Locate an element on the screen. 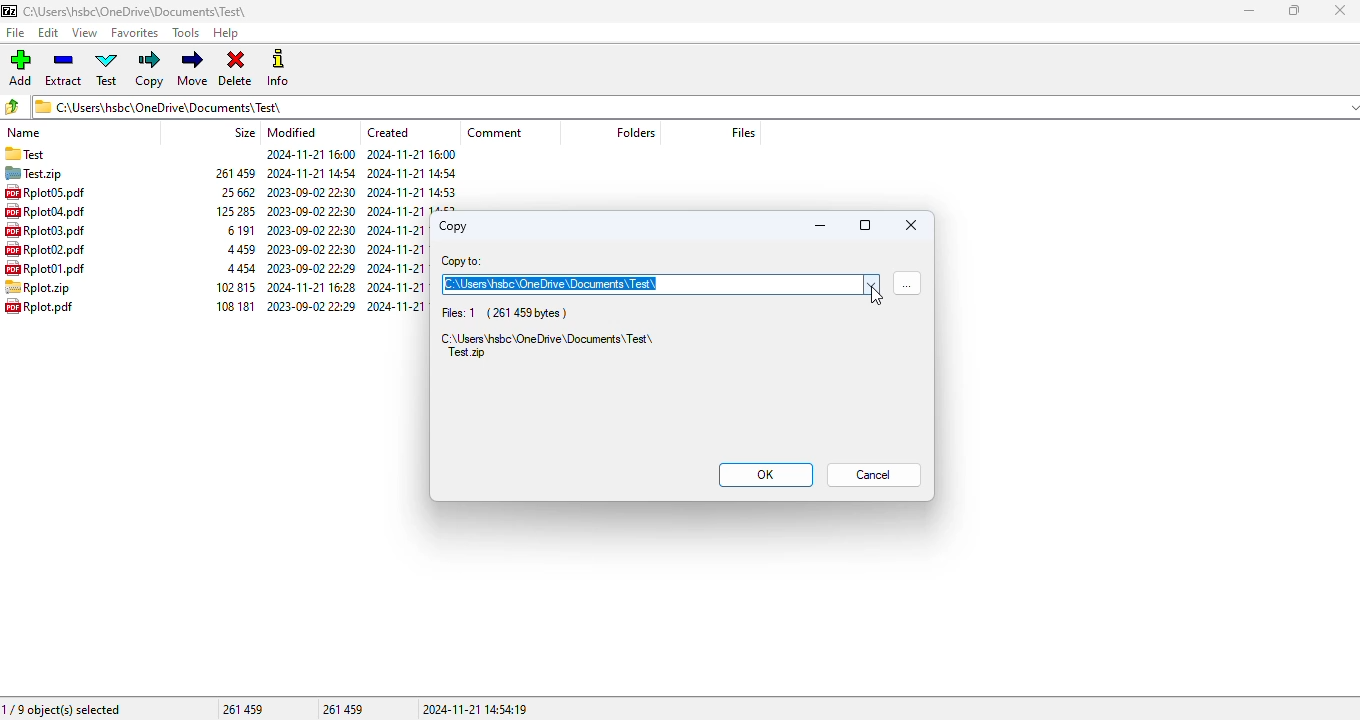 This screenshot has height=720, width=1360. move is located at coordinates (194, 69).